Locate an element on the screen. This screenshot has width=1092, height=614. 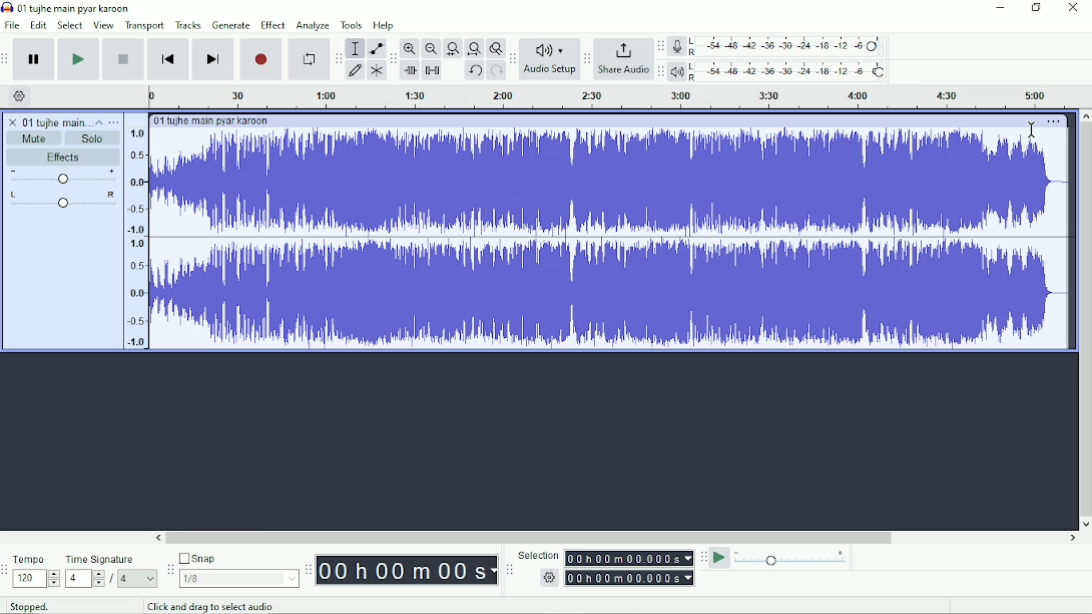
Time signature is located at coordinates (111, 559).